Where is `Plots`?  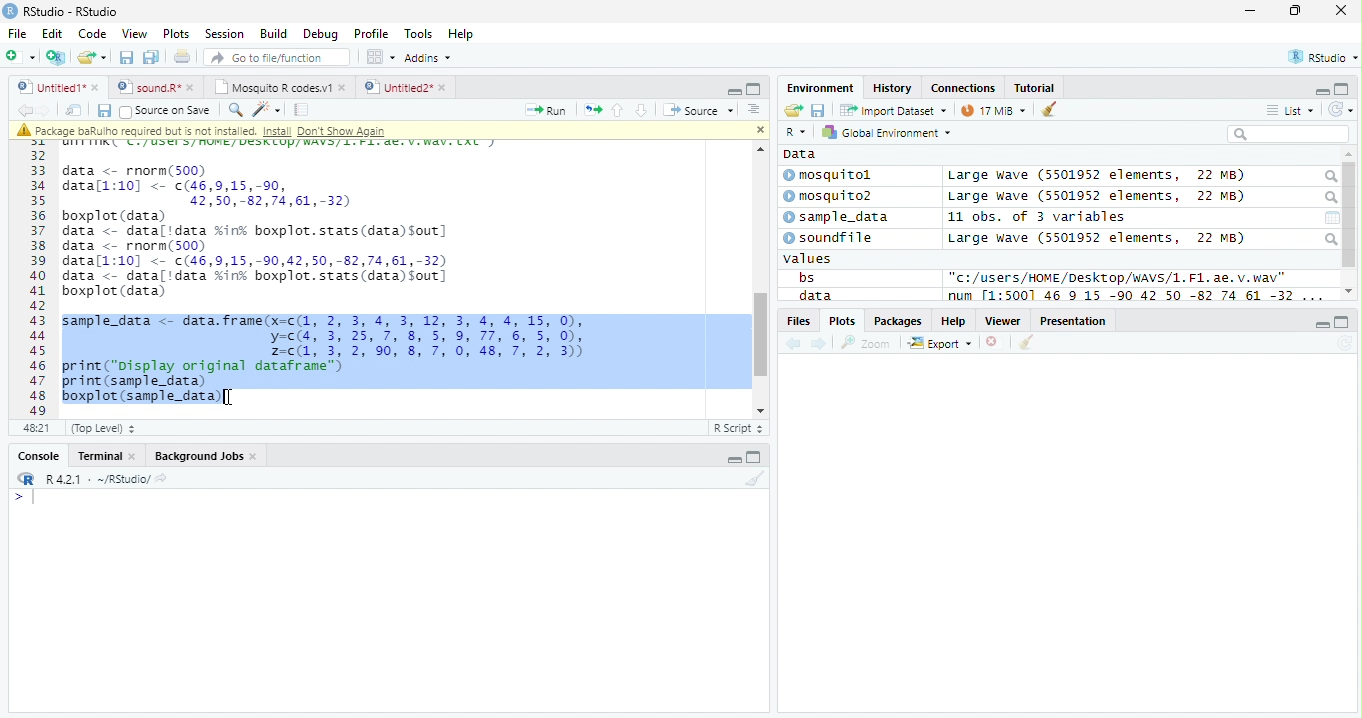 Plots is located at coordinates (841, 321).